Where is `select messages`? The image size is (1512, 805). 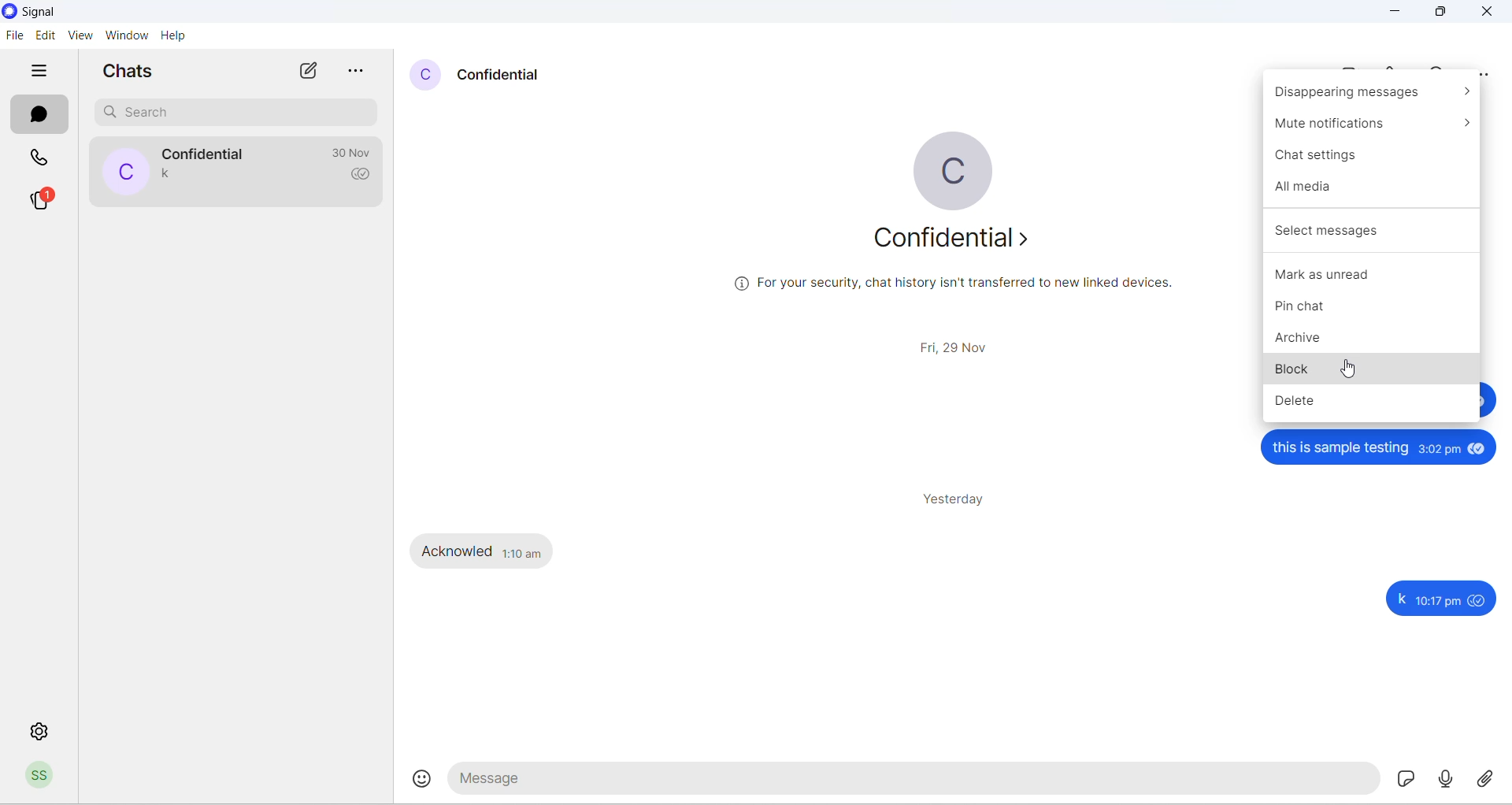 select messages is located at coordinates (1372, 231).